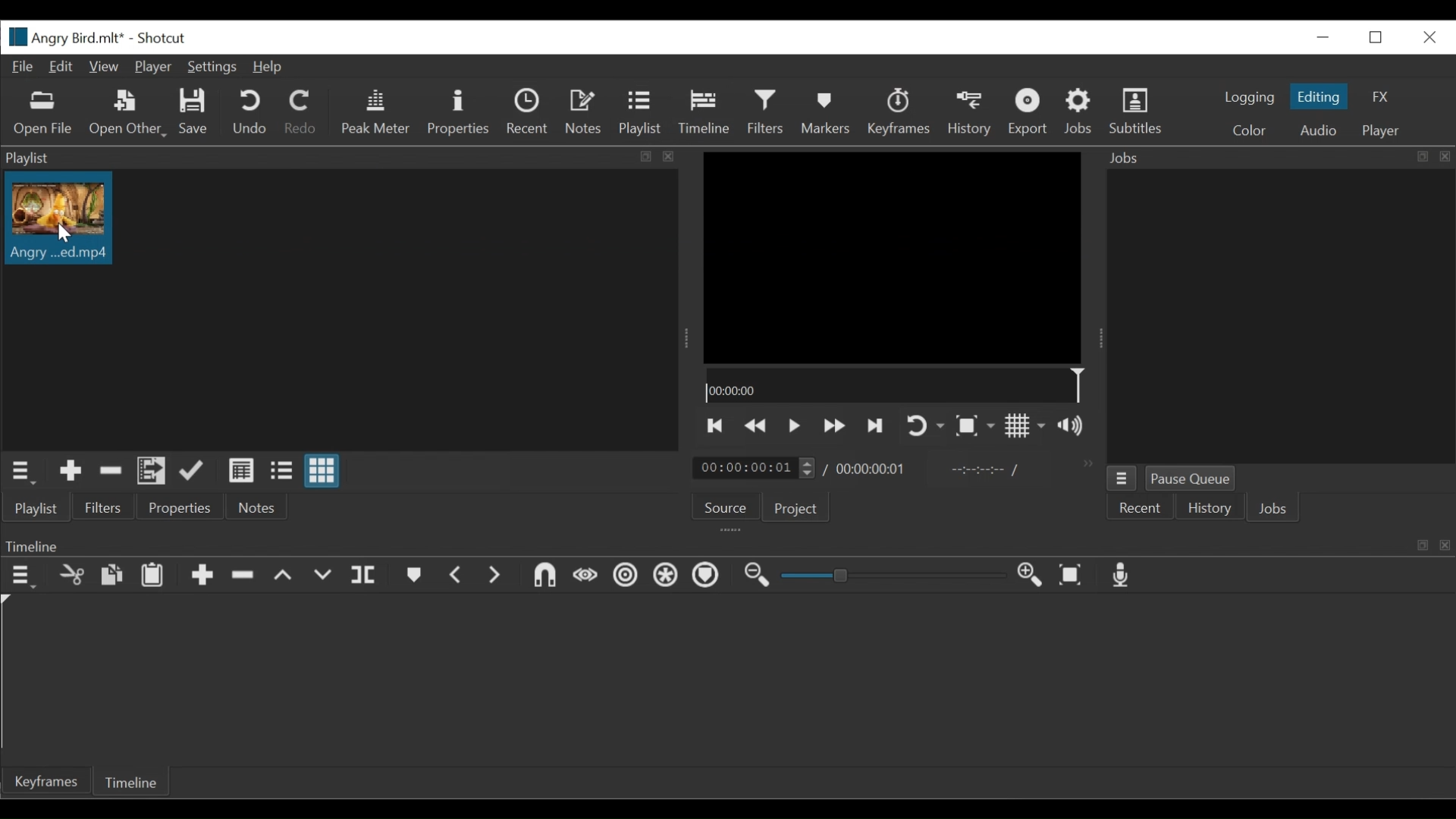 This screenshot has width=1456, height=819. Describe the element at coordinates (129, 113) in the screenshot. I see `Open Other` at that location.